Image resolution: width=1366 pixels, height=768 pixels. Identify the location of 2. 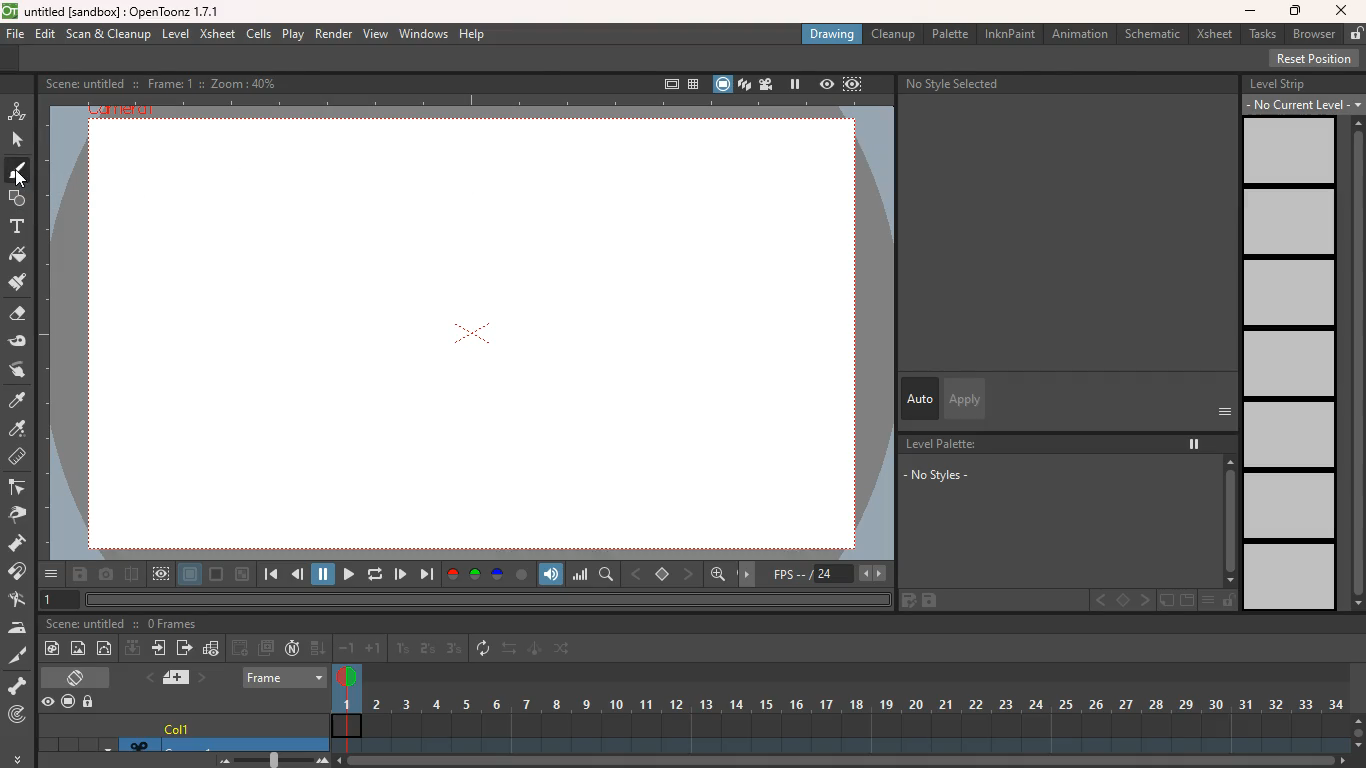
(427, 649).